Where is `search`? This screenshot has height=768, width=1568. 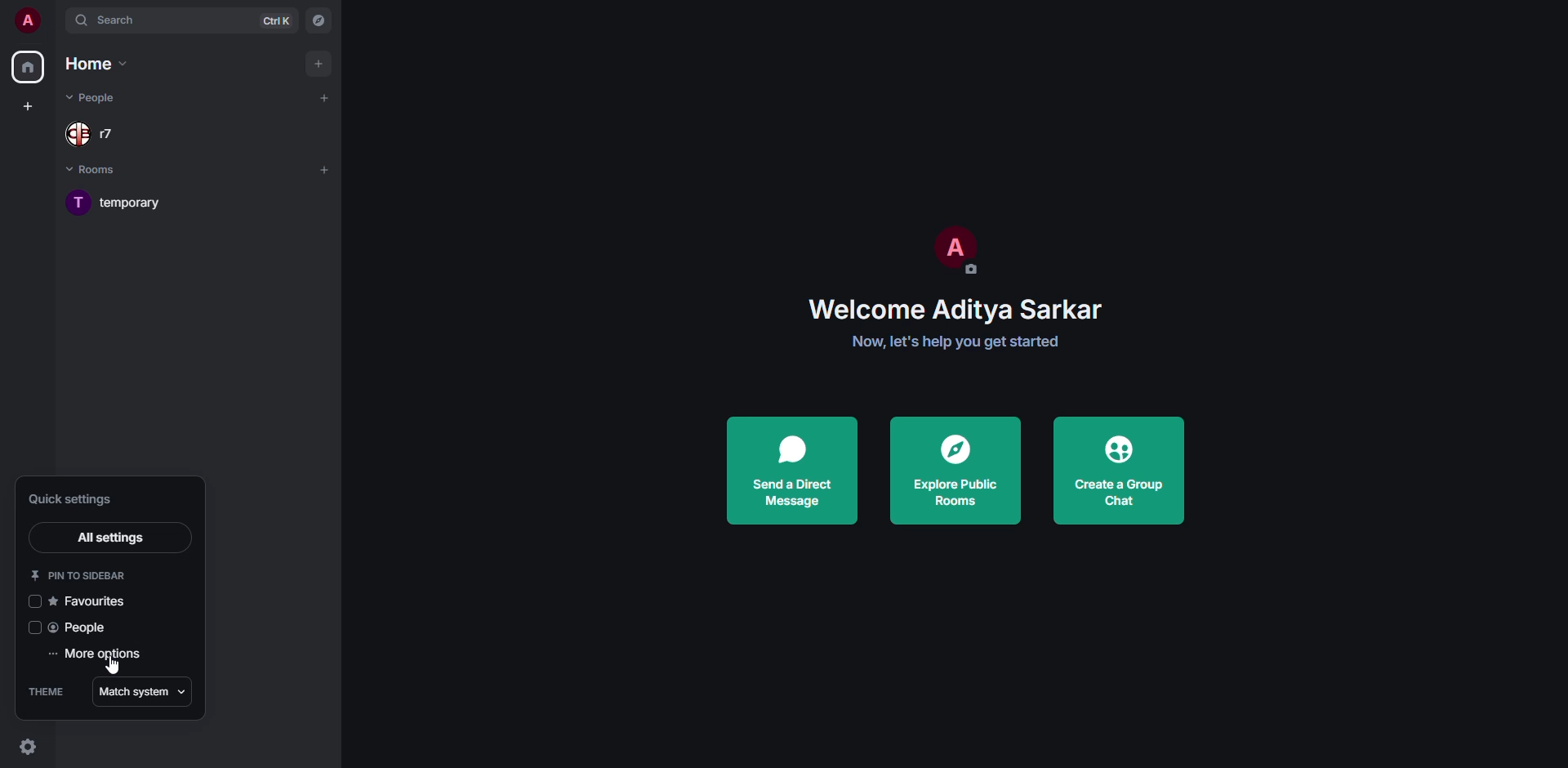 search is located at coordinates (118, 19).